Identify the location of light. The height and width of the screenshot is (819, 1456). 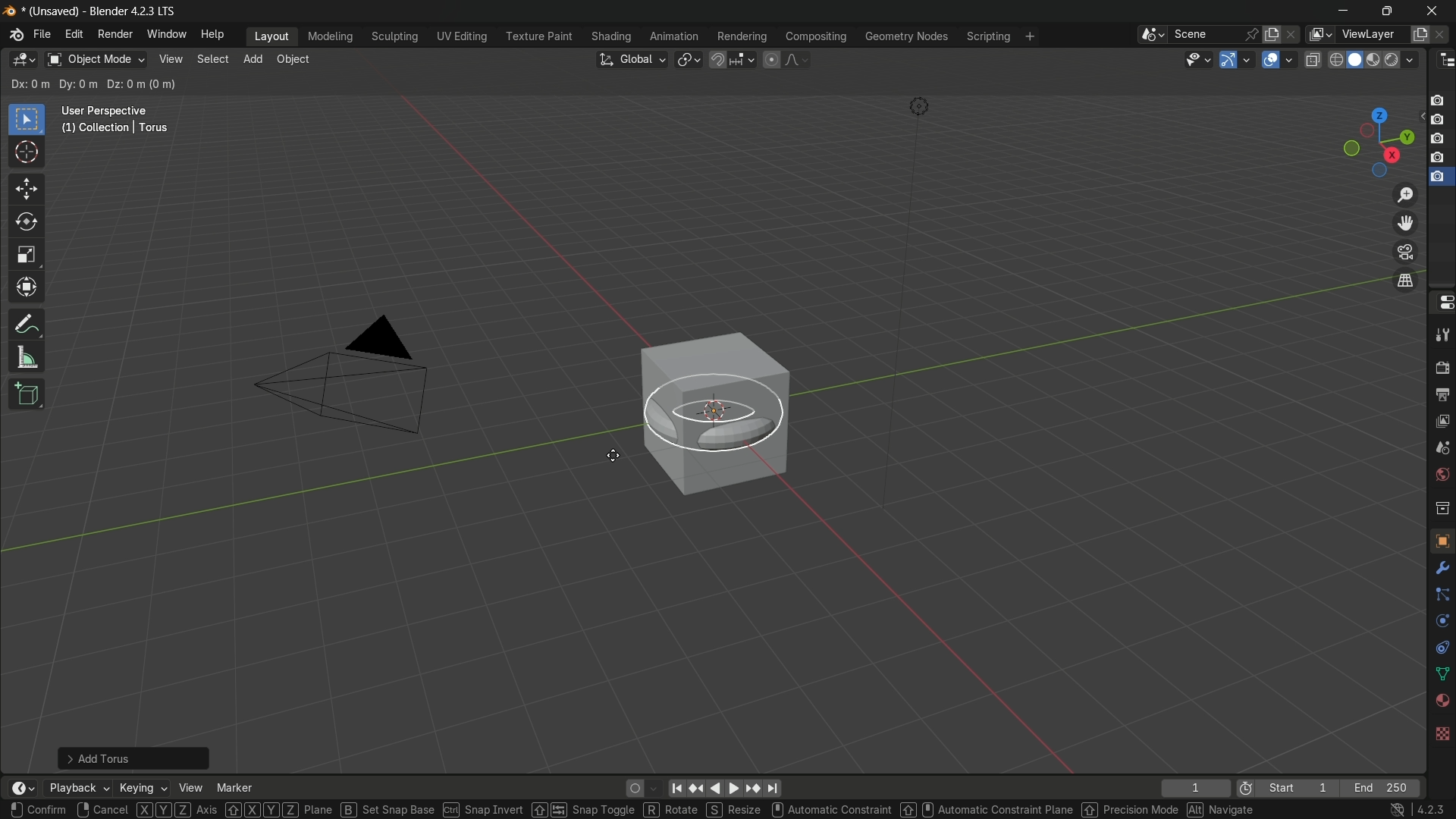
(918, 107).